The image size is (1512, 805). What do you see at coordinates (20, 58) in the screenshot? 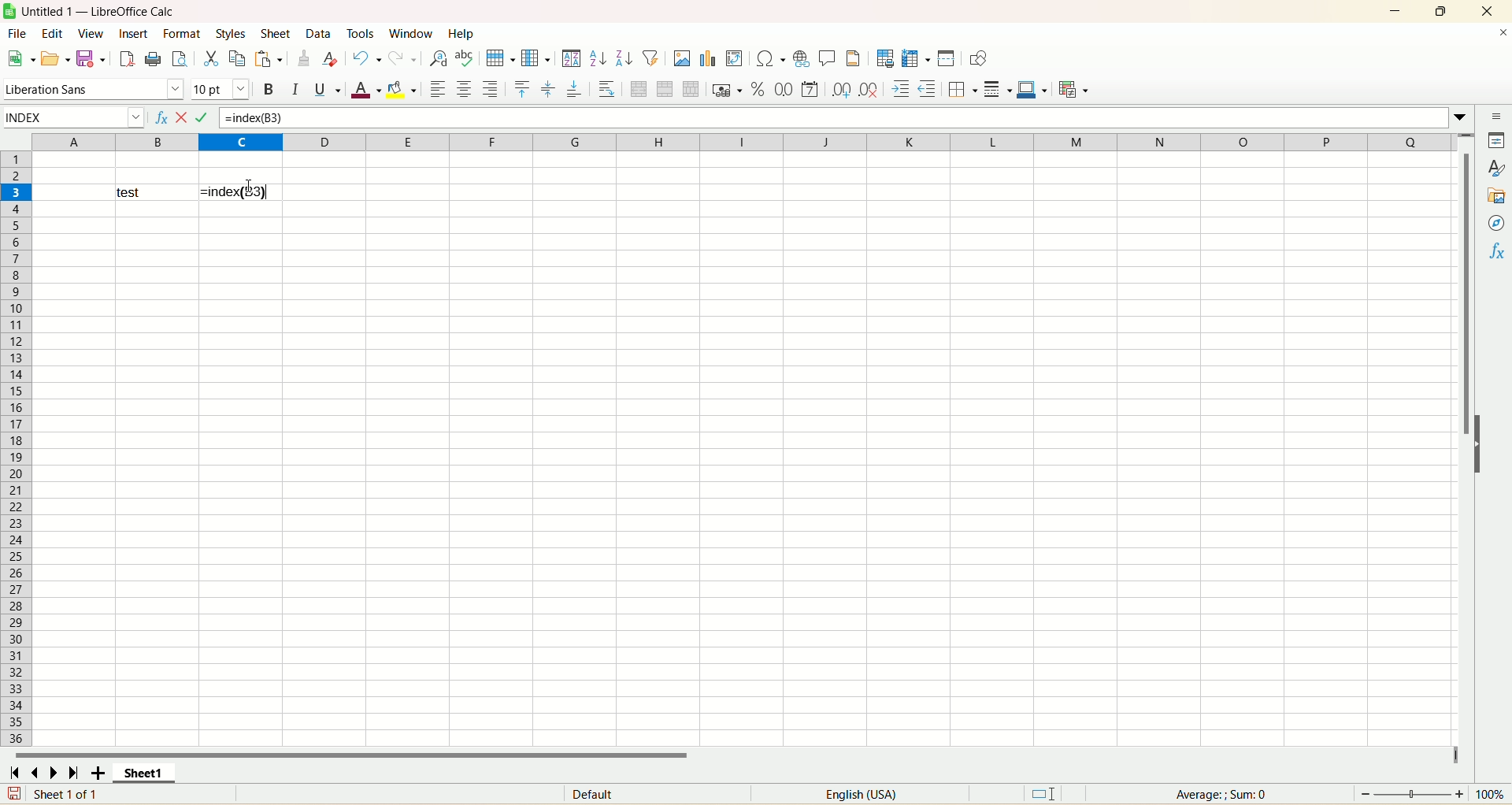
I see `new` at bounding box center [20, 58].